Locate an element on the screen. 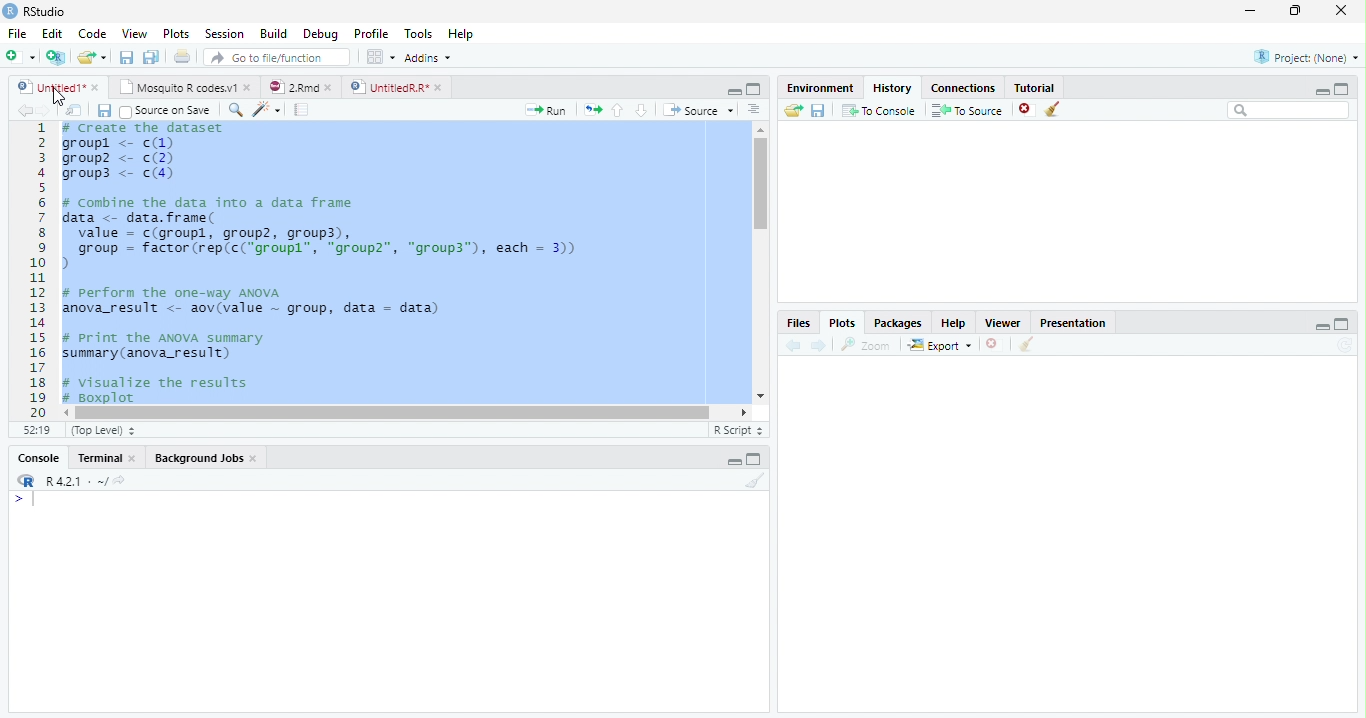  back is located at coordinates (791, 346).